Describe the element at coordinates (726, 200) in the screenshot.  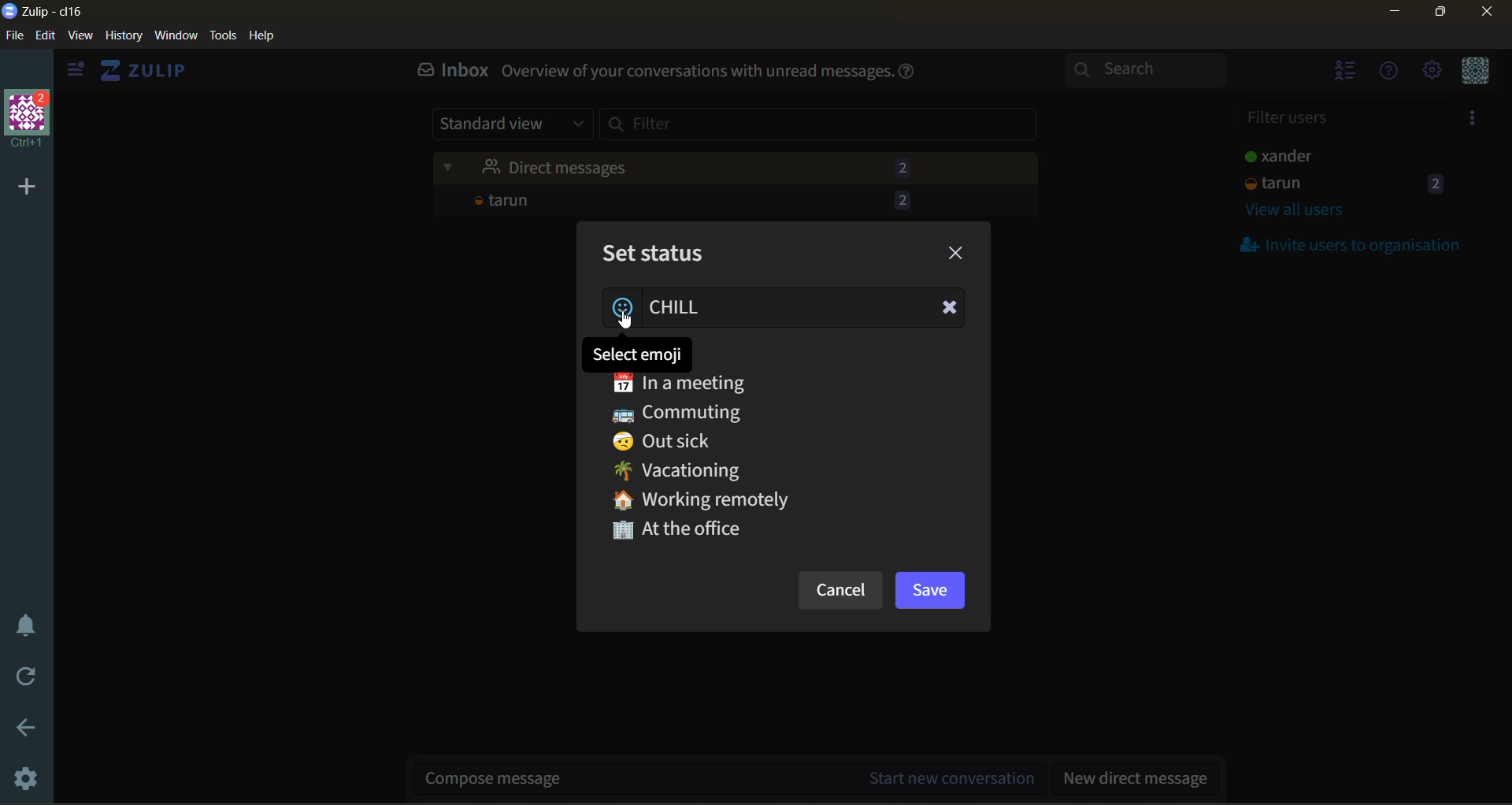
I see `tarun` at that location.